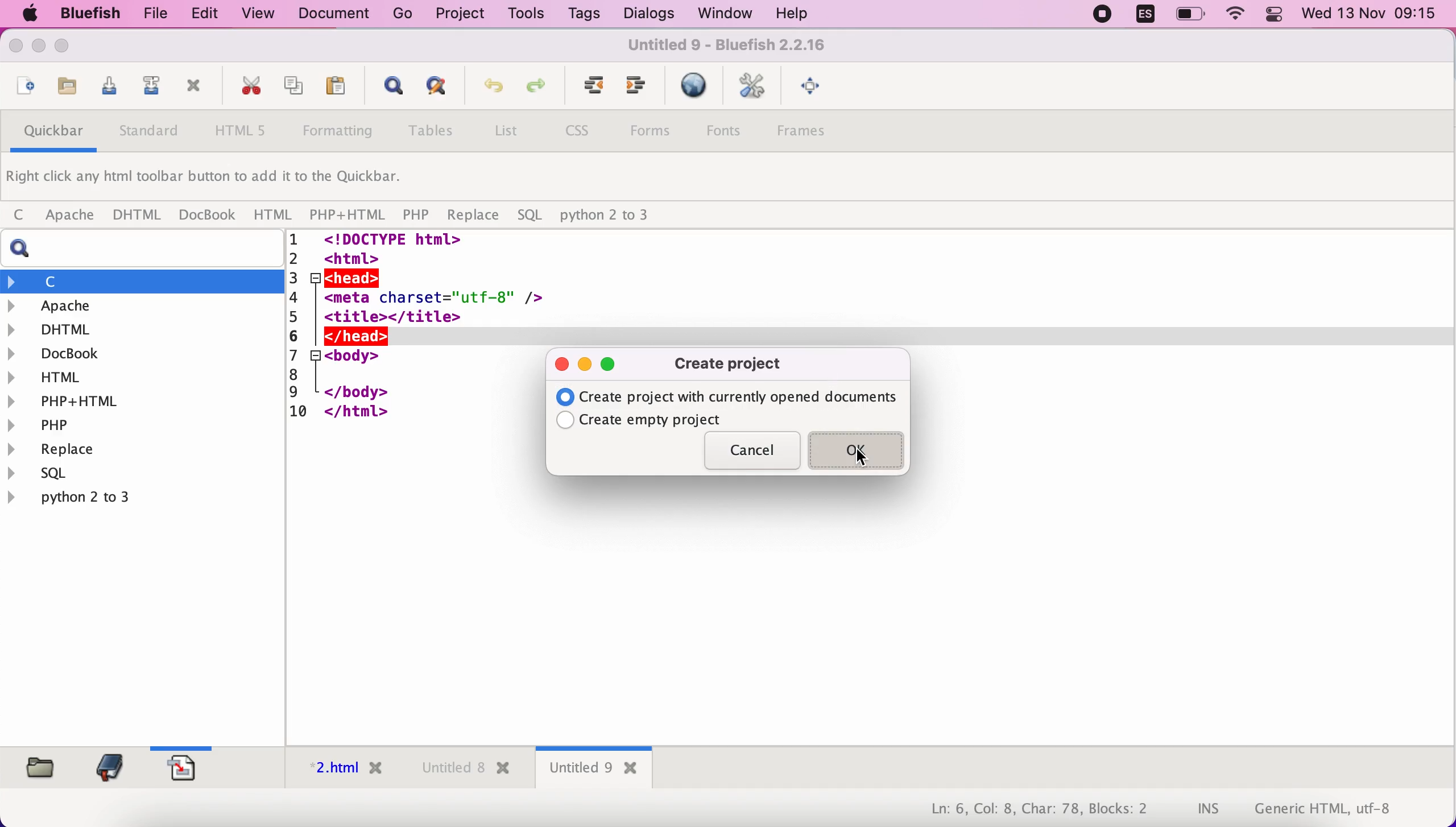  What do you see at coordinates (506, 133) in the screenshot?
I see `list` at bounding box center [506, 133].